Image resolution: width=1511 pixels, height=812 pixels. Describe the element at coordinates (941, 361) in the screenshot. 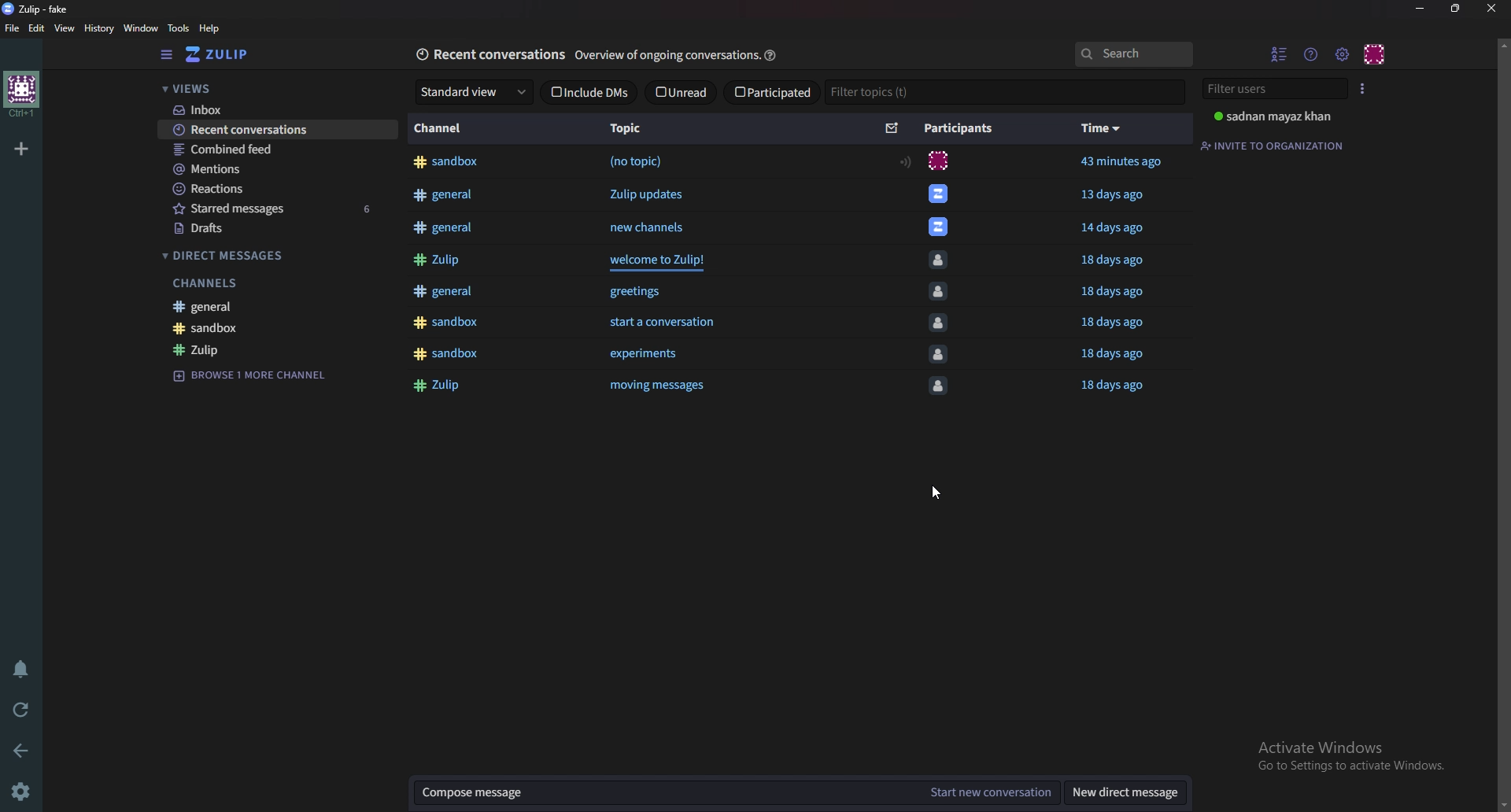

I see `icon` at that location.